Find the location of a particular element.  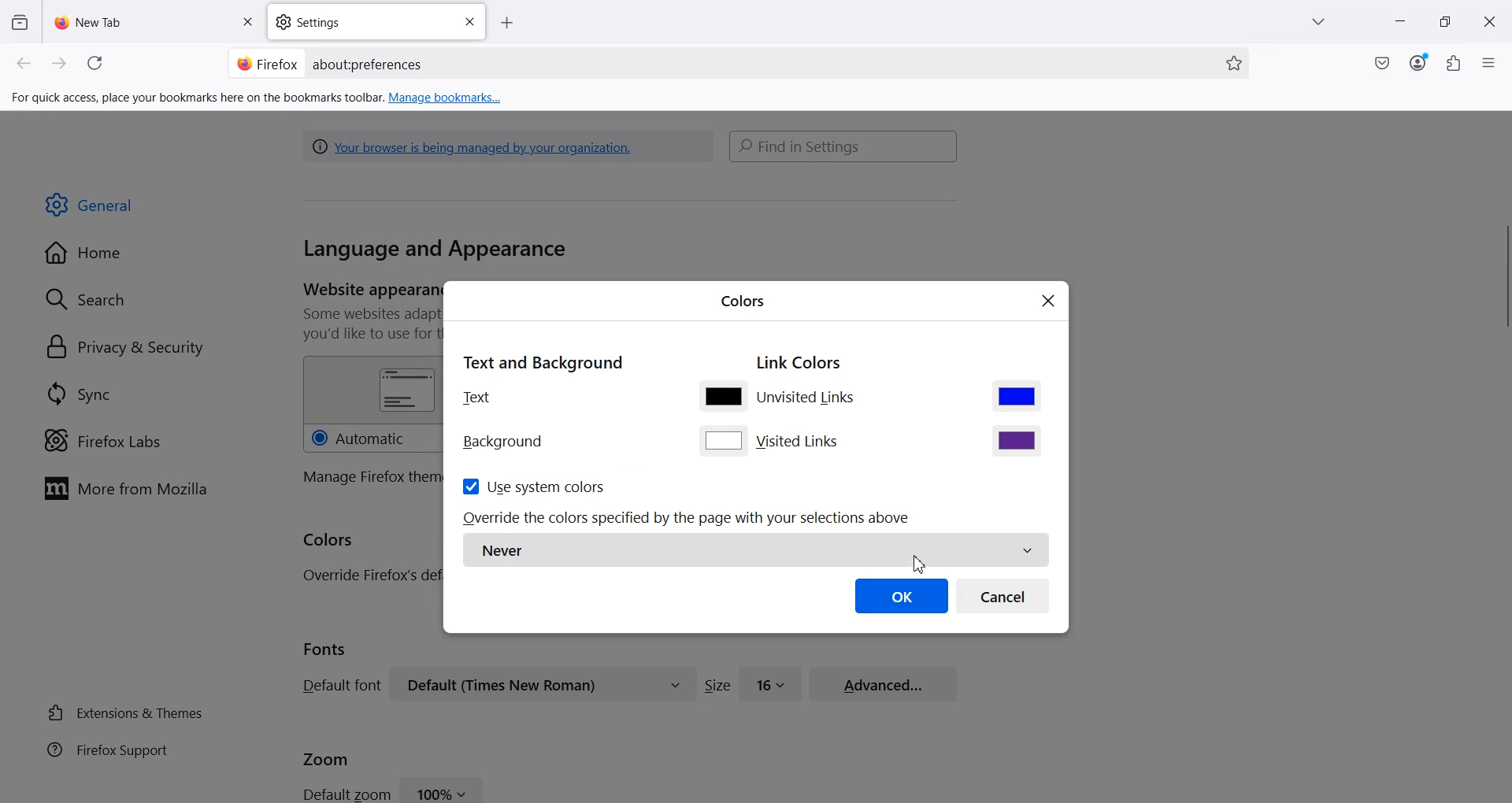

Close is located at coordinates (1049, 302).